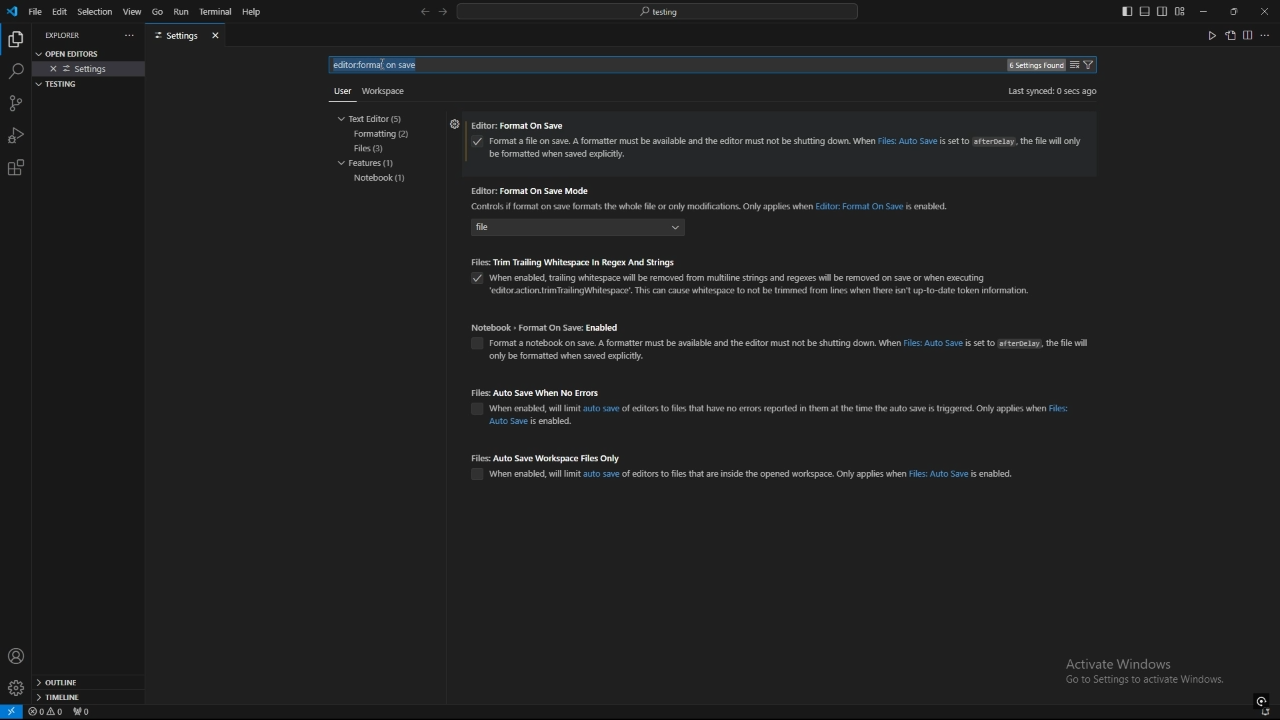 Image resolution: width=1280 pixels, height=720 pixels. I want to click on , so click(338, 95).